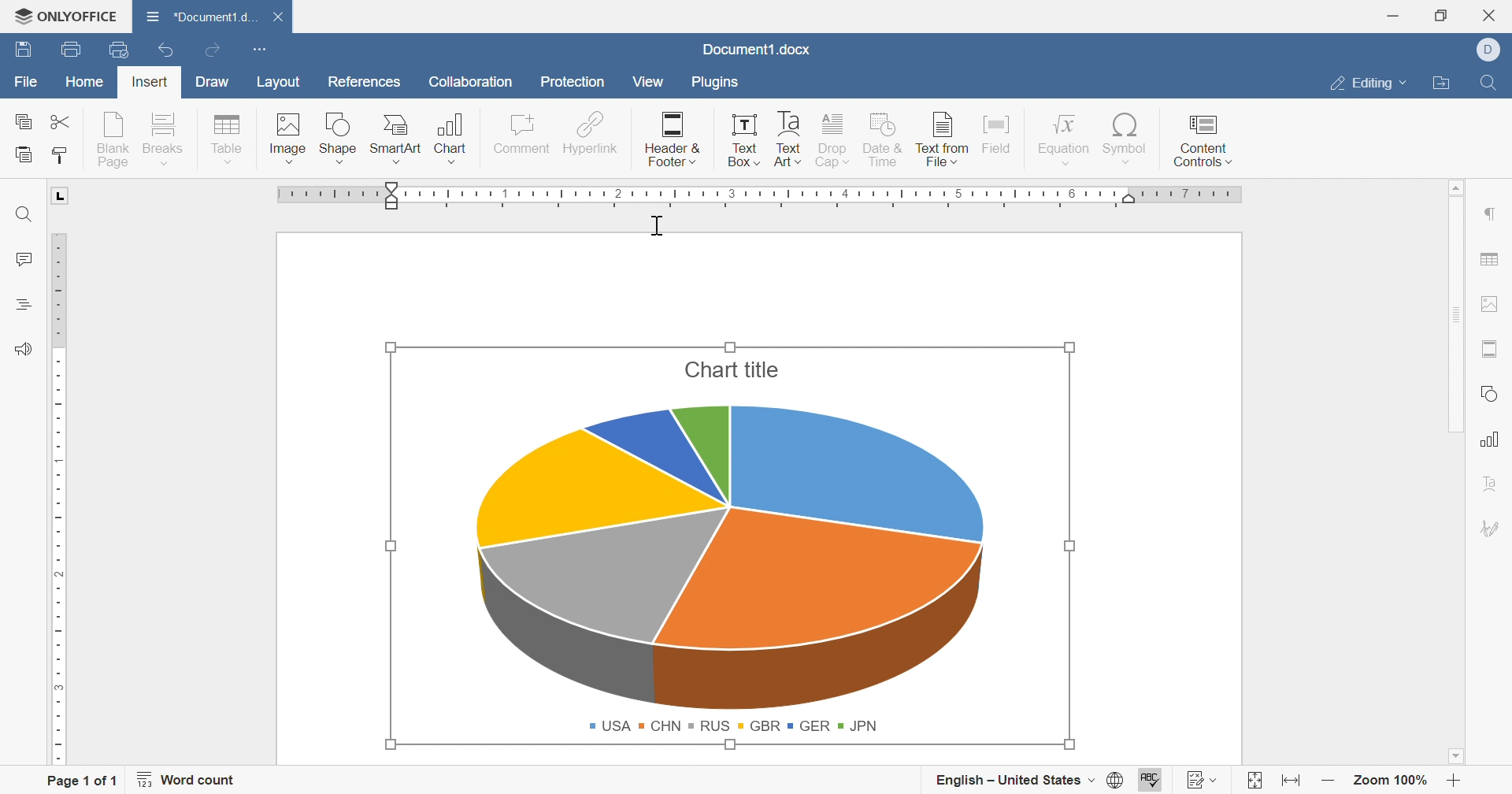 The height and width of the screenshot is (794, 1512). Describe the element at coordinates (21, 305) in the screenshot. I see `Spell Checking` at that location.